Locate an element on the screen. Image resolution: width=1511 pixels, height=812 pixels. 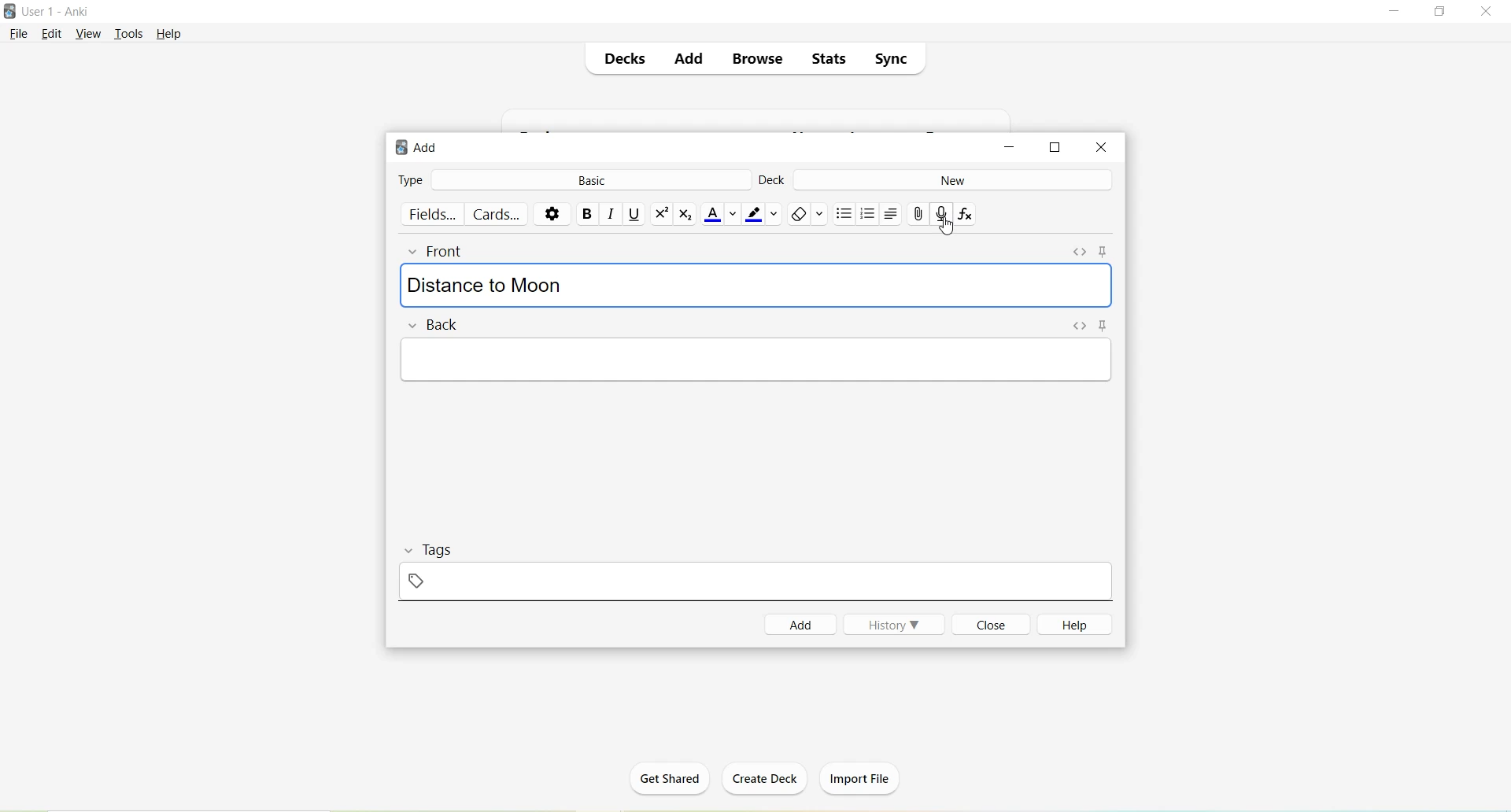
Italic is located at coordinates (611, 213).